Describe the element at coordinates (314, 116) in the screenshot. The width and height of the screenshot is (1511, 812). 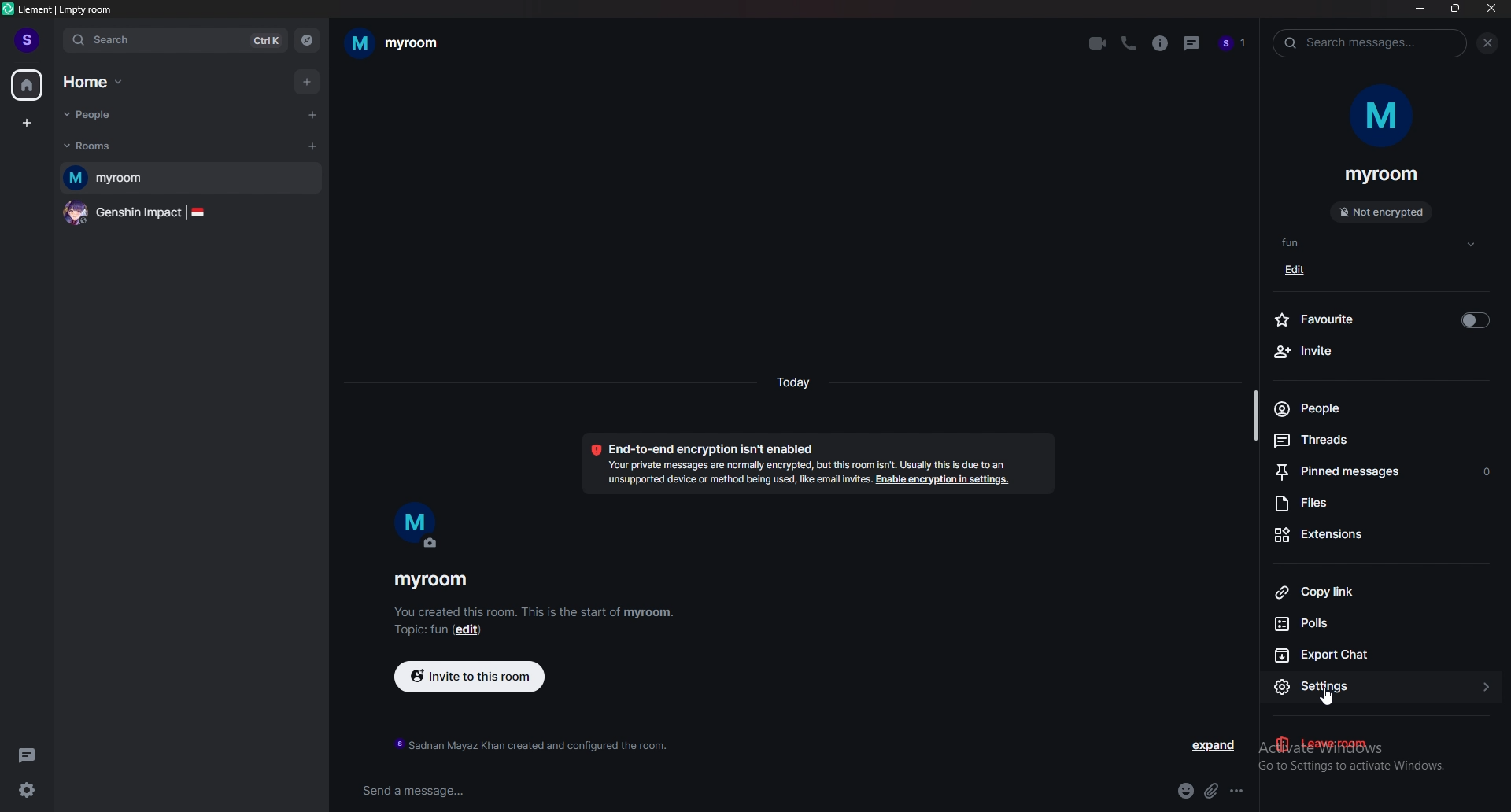
I see `start chat` at that location.